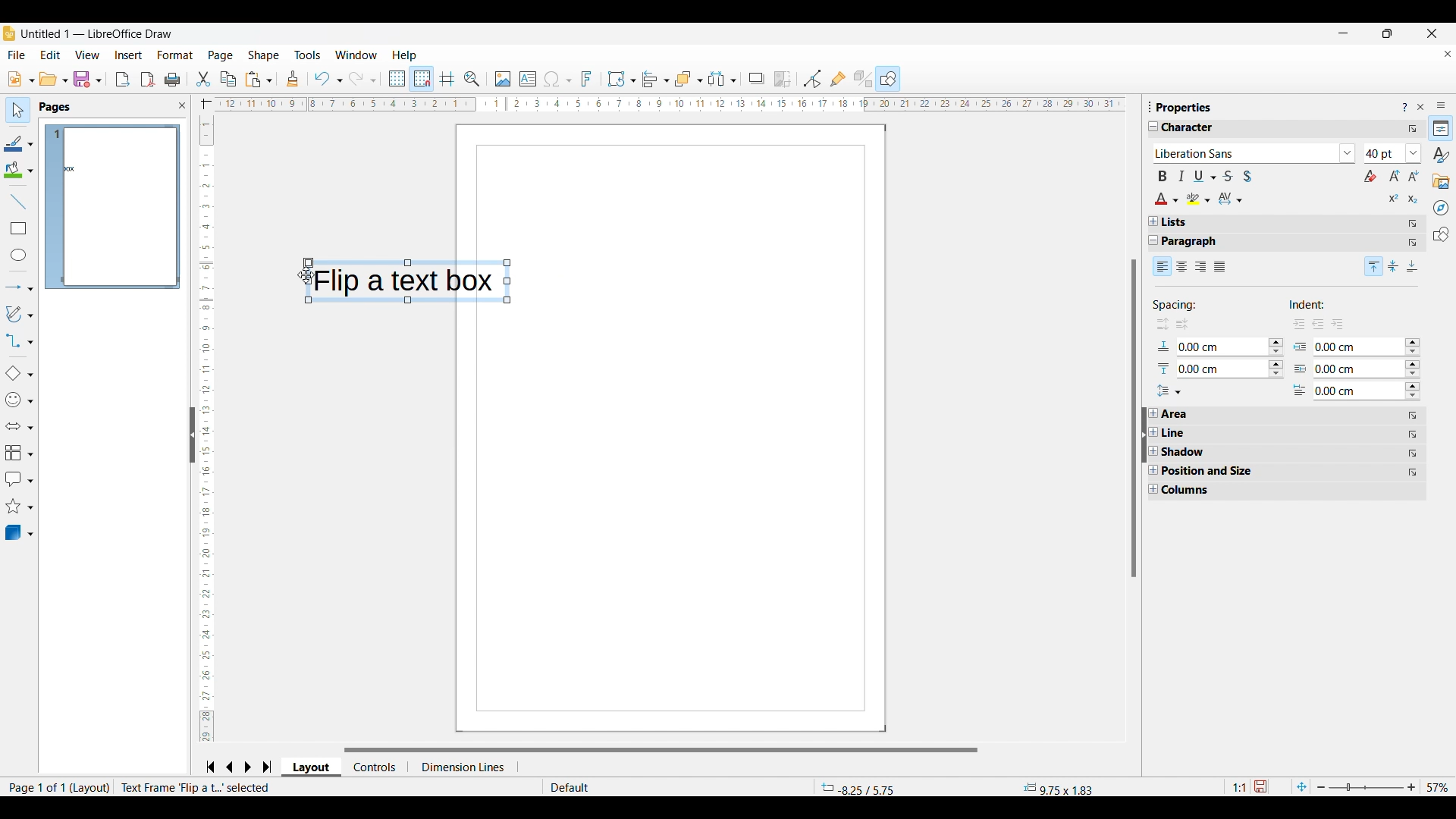 The height and width of the screenshot is (819, 1456). Describe the element at coordinates (1414, 175) in the screenshot. I see `Decrease font size` at that location.